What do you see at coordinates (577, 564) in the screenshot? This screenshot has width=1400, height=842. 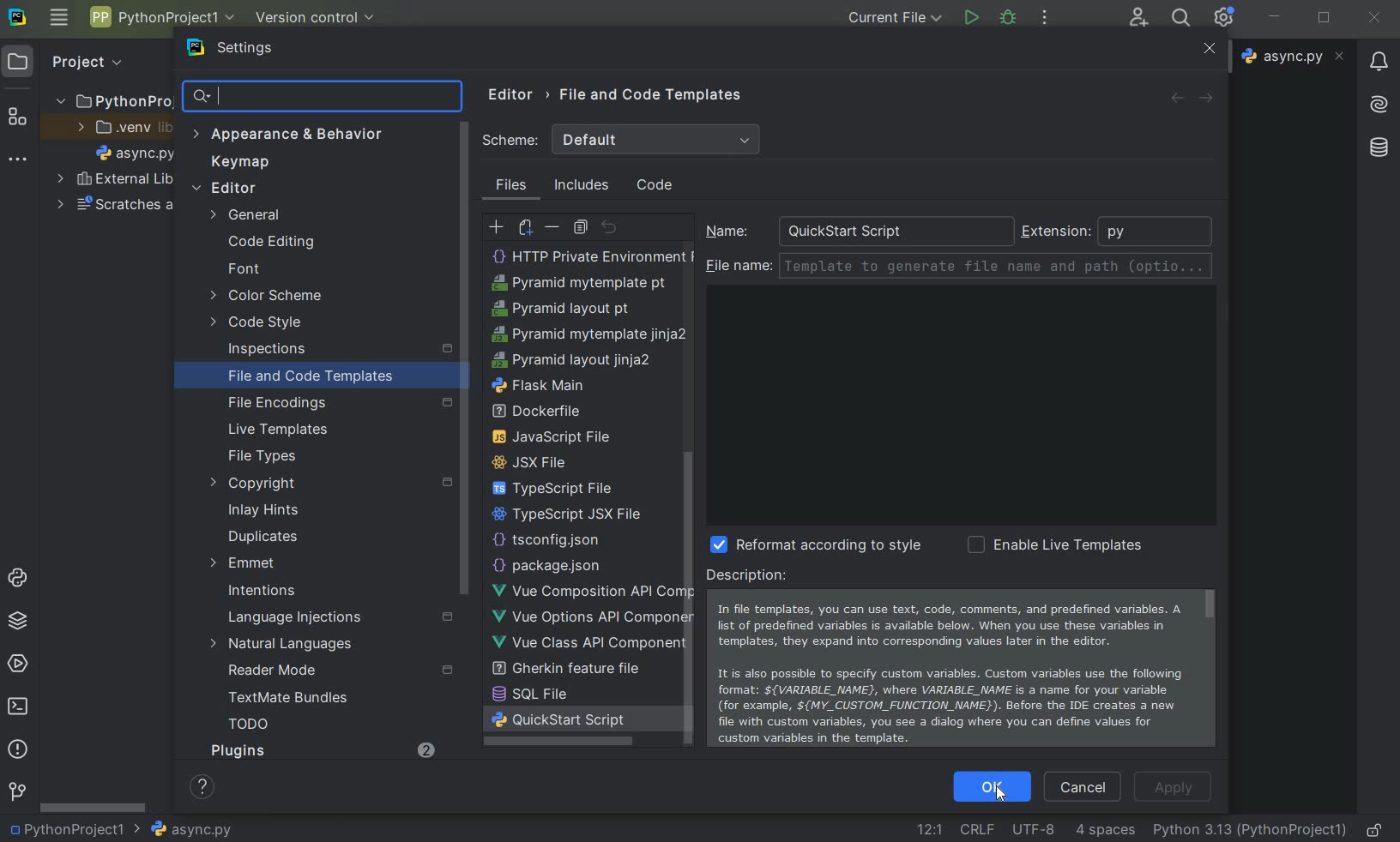 I see `HTTP Request scratch` at bounding box center [577, 564].